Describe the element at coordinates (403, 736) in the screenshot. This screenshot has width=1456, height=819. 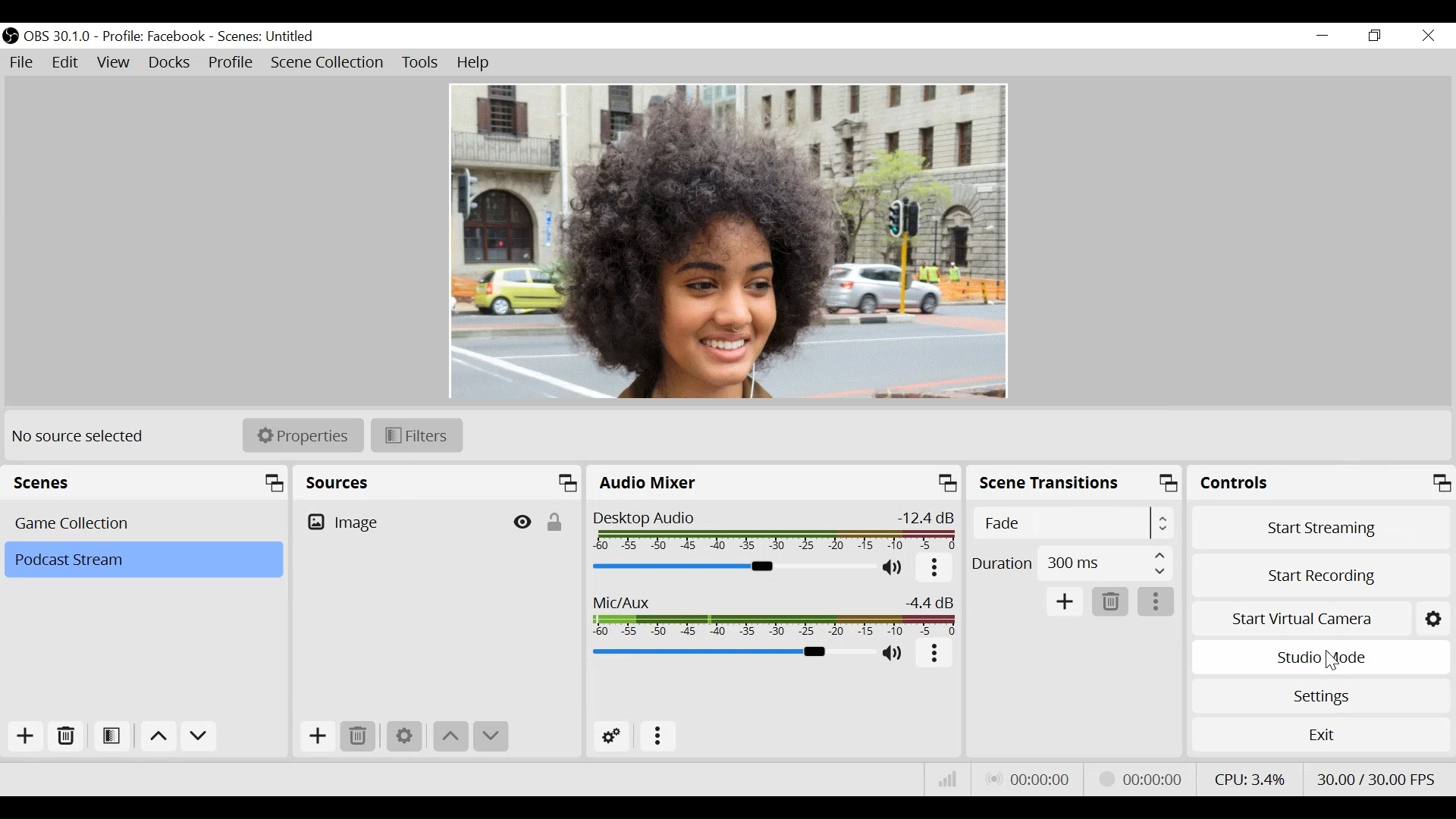
I see `Settings` at that location.